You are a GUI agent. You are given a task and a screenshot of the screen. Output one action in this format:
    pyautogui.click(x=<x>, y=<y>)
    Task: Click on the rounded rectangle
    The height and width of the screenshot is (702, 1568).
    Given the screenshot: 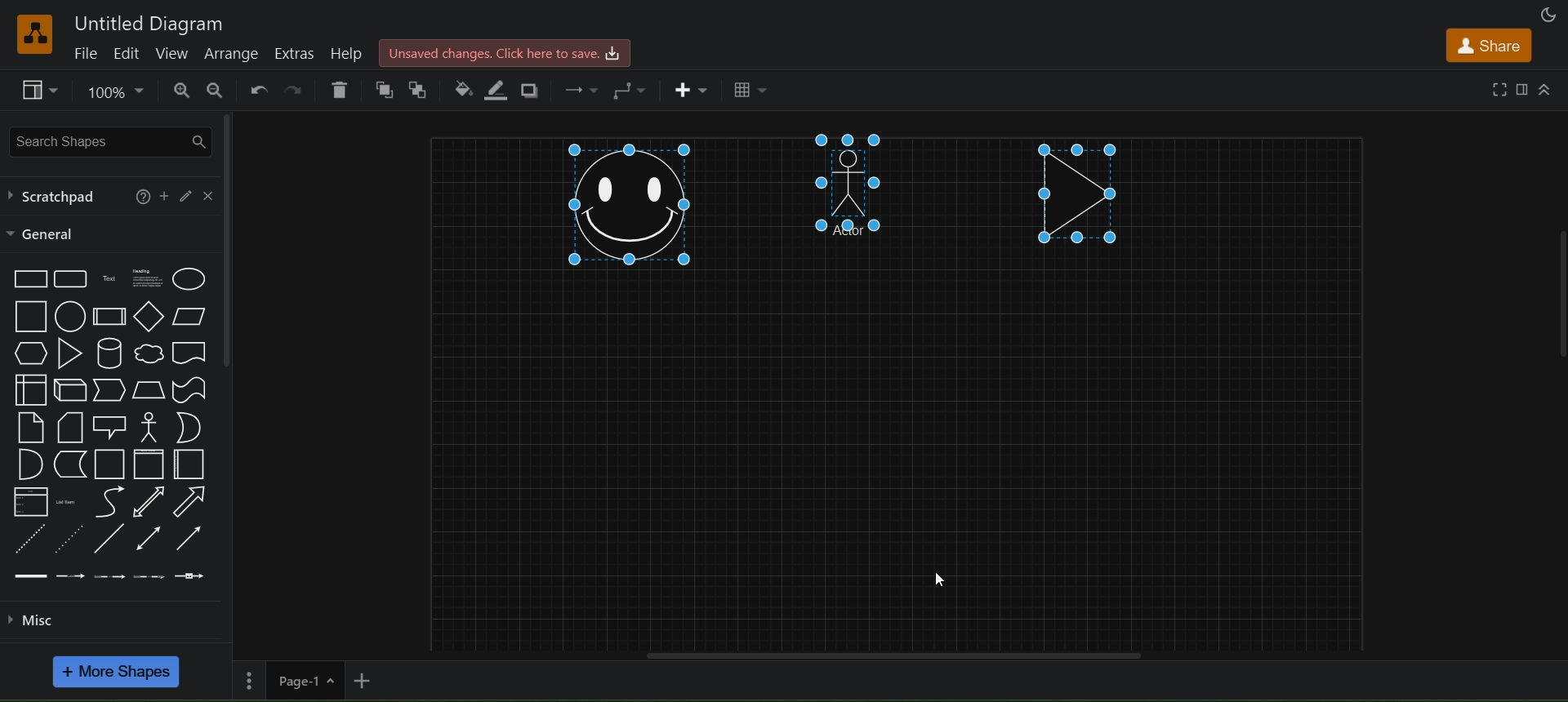 What is the action you would take?
    pyautogui.click(x=71, y=279)
    